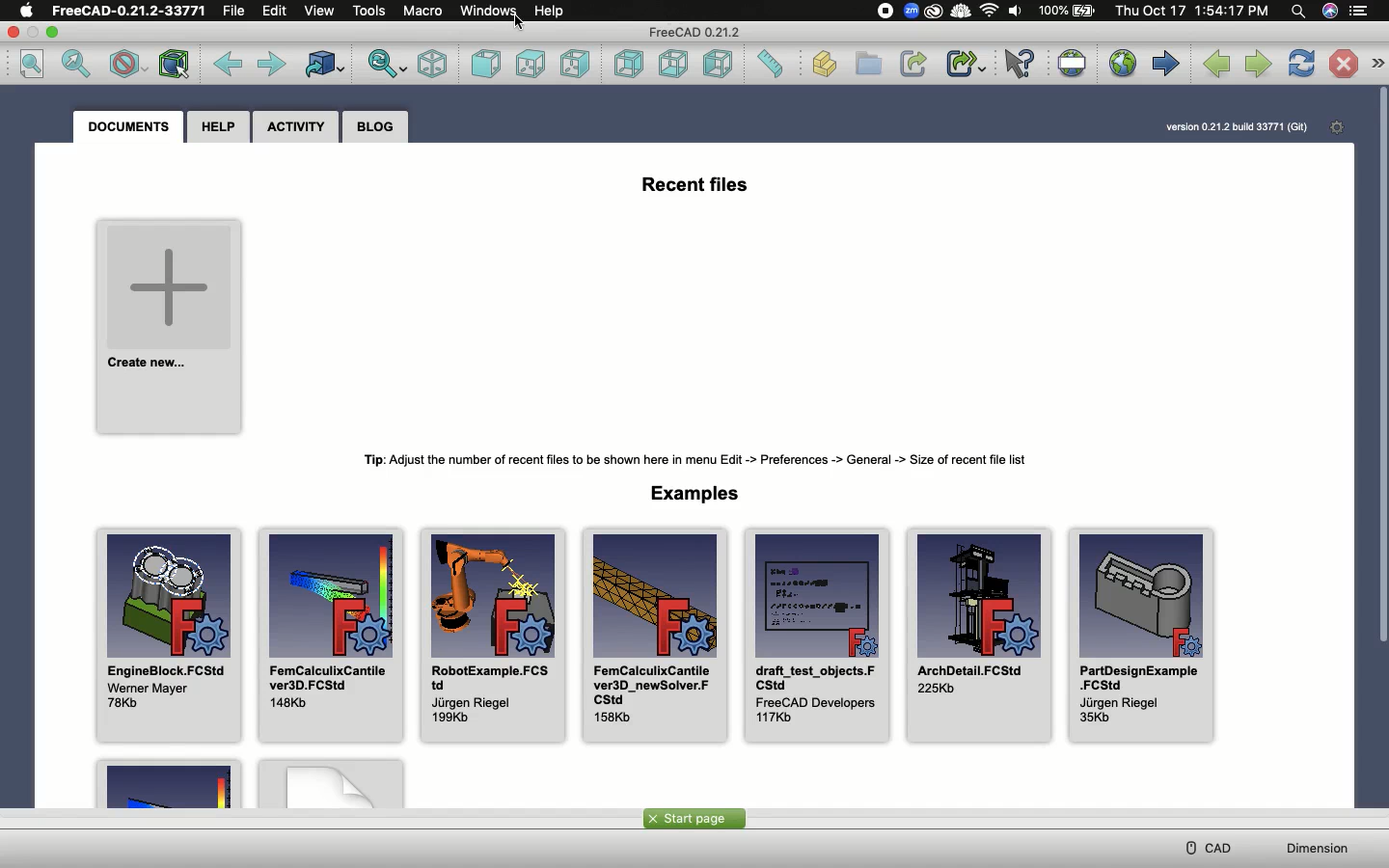 The image size is (1389, 868). Describe the element at coordinates (375, 129) in the screenshot. I see `Blog` at that location.